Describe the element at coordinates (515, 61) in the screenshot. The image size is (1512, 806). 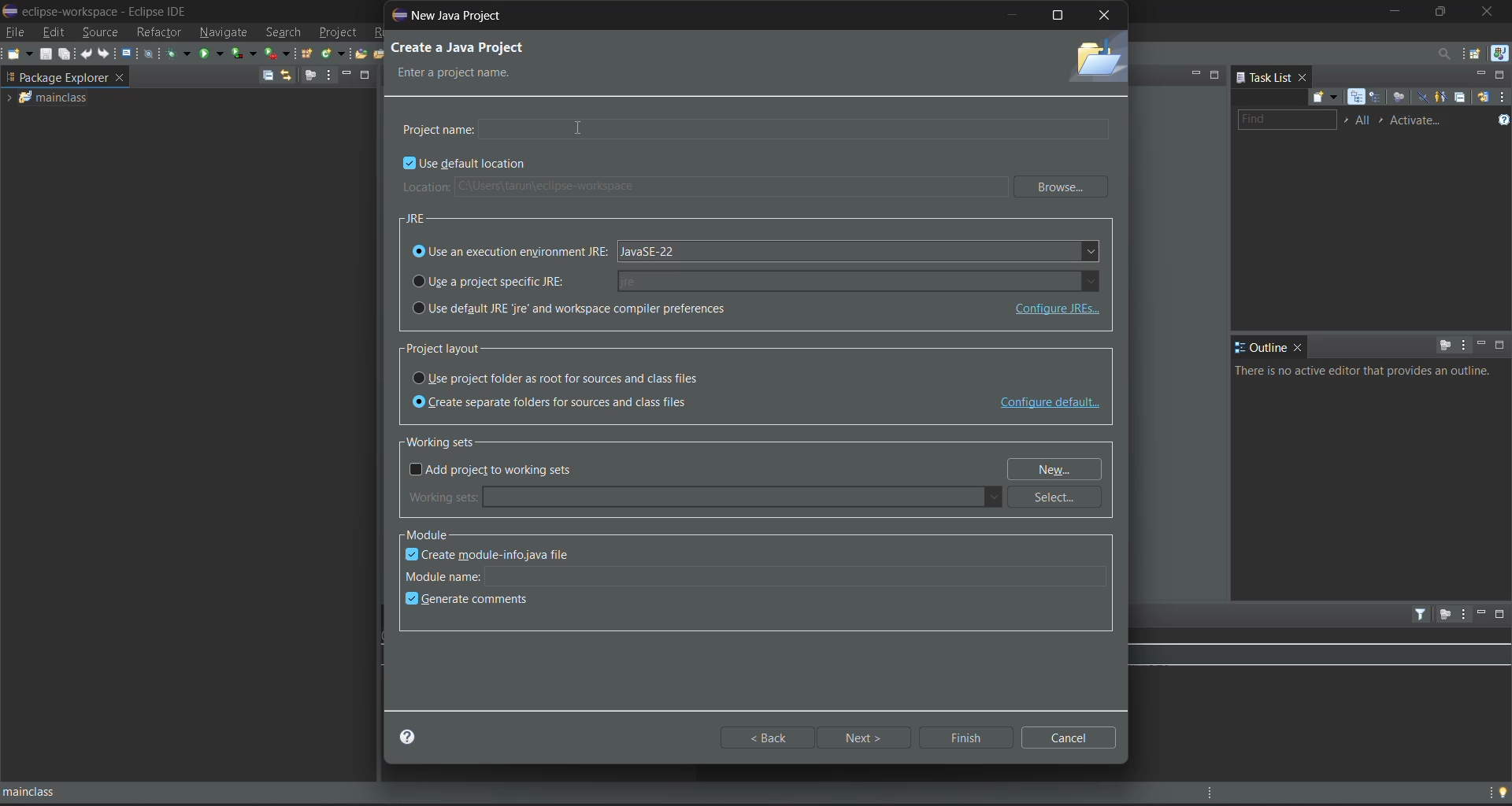
I see `create a new java project enter a project name` at that location.